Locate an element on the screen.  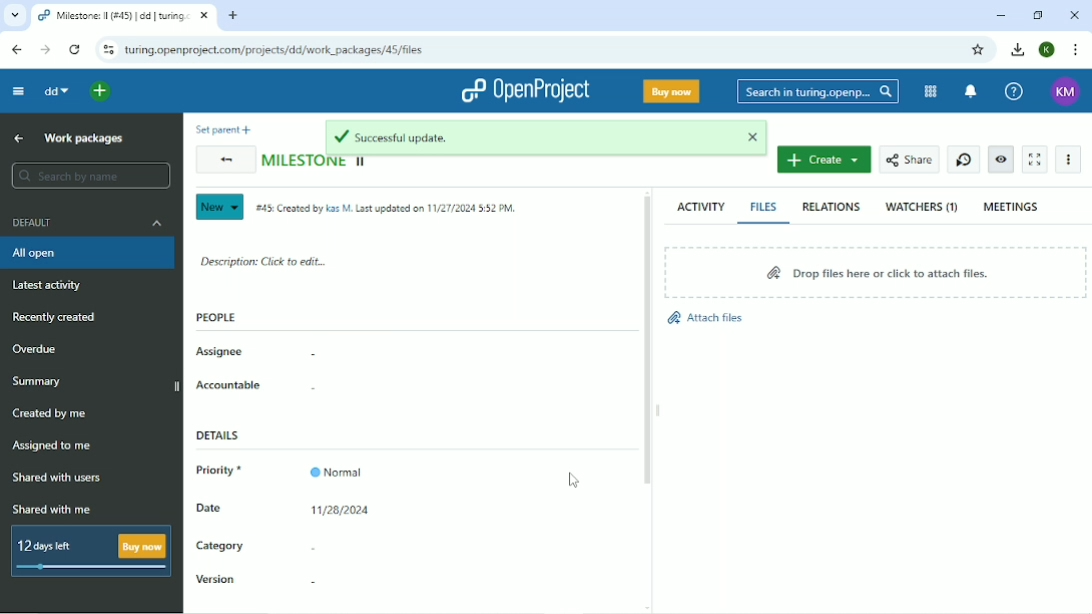
Default is located at coordinates (91, 222).